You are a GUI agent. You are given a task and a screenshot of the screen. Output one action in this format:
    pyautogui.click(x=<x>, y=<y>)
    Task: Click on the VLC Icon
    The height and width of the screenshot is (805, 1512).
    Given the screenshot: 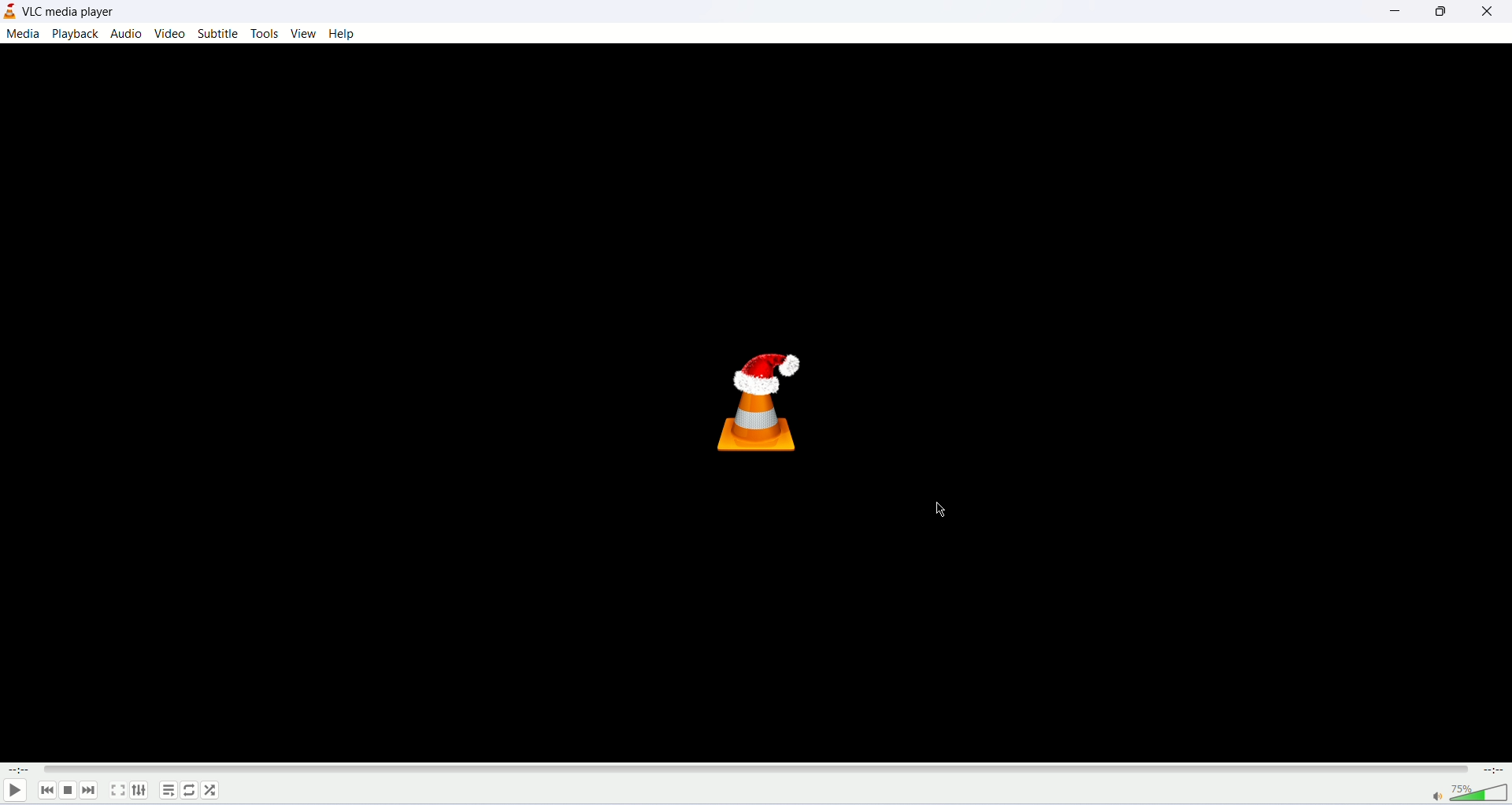 What is the action you would take?
    pyautogui.click(x=762, y=401)
    